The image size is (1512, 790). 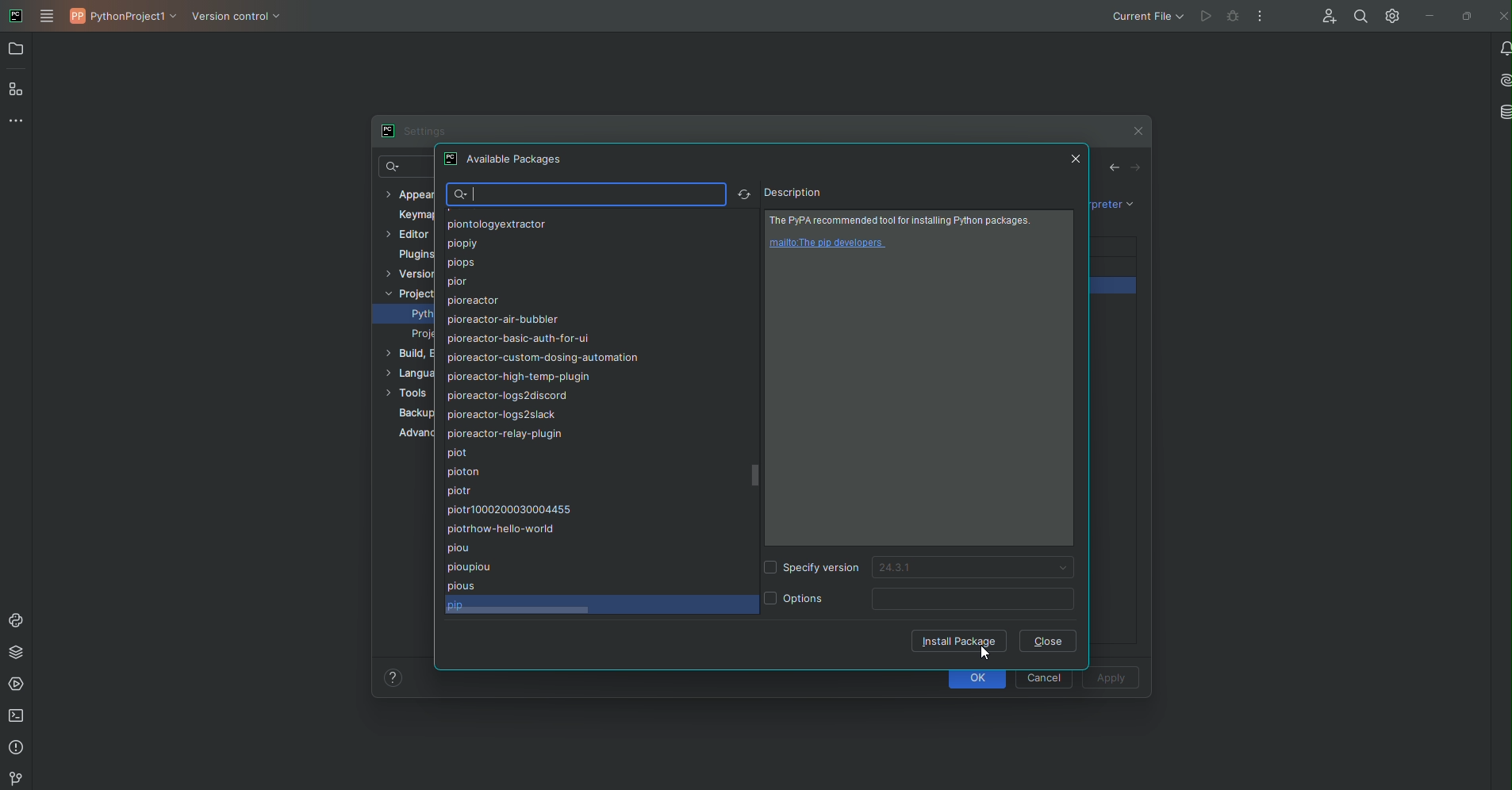 What do you see at coordinates (402, 169) in the screenshot?
I see `Search` at bounding box center [402, 169].